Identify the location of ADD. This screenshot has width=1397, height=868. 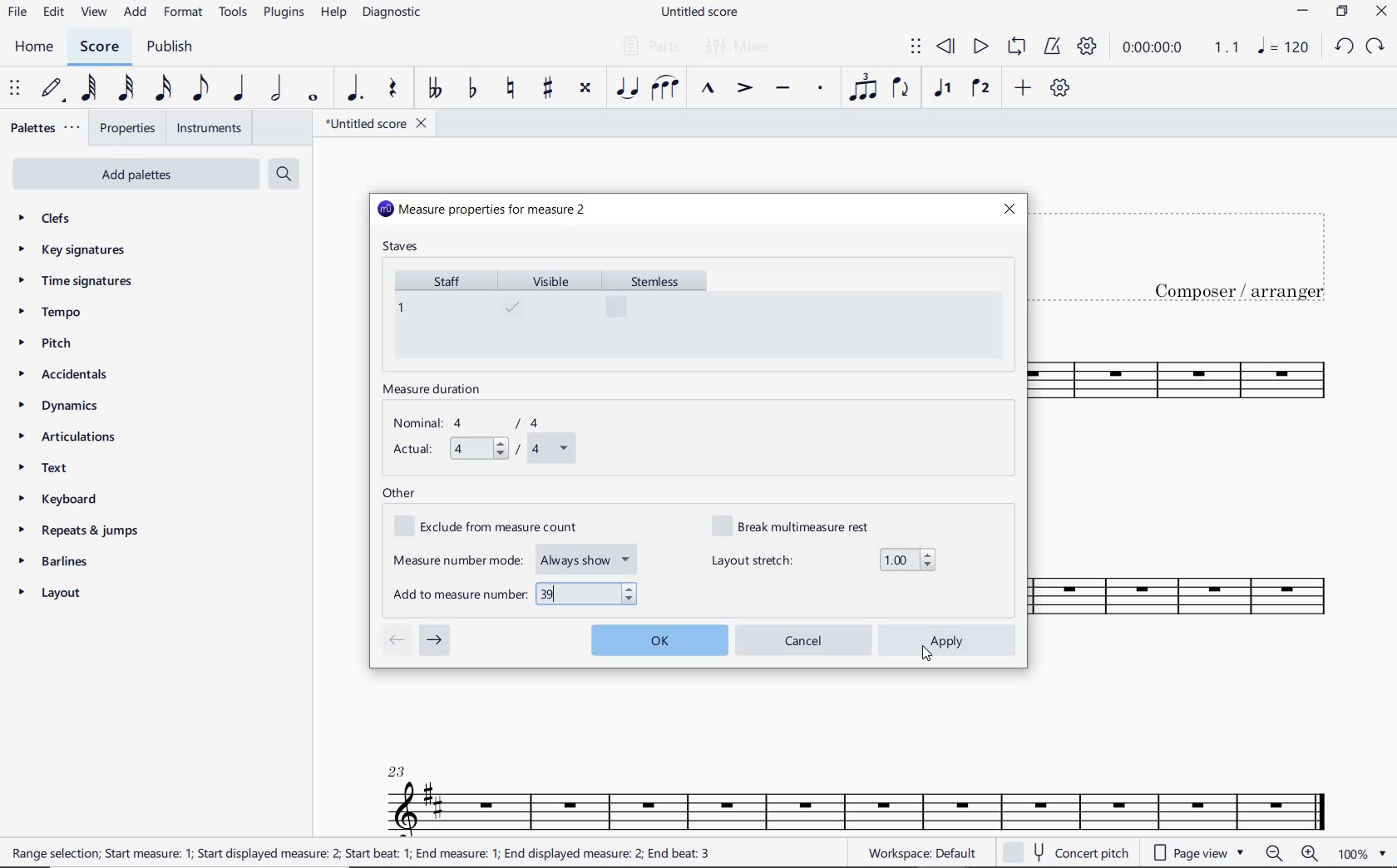
(136, 13).